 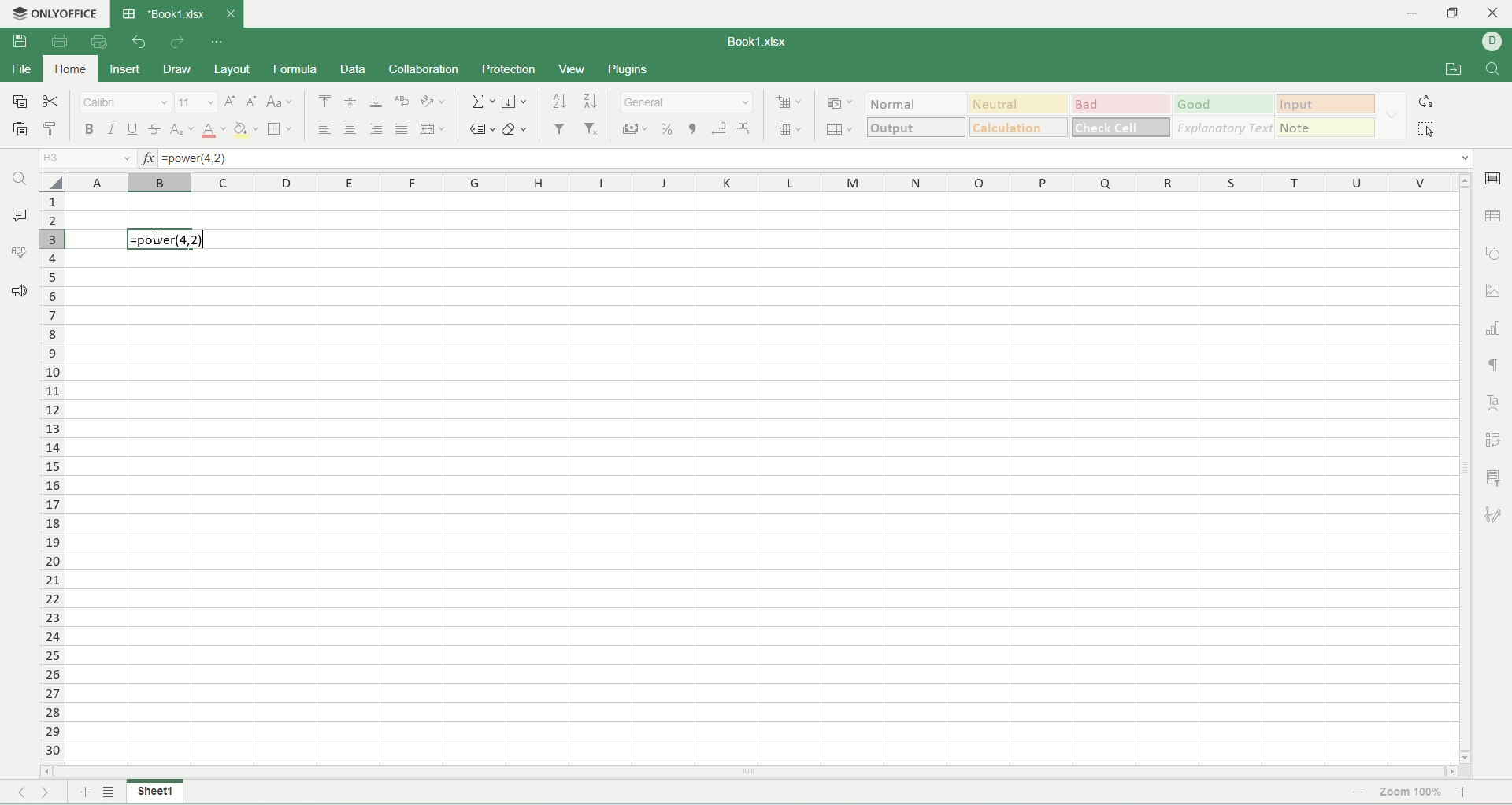 I want to click on change case, so click(x=281, y=103).